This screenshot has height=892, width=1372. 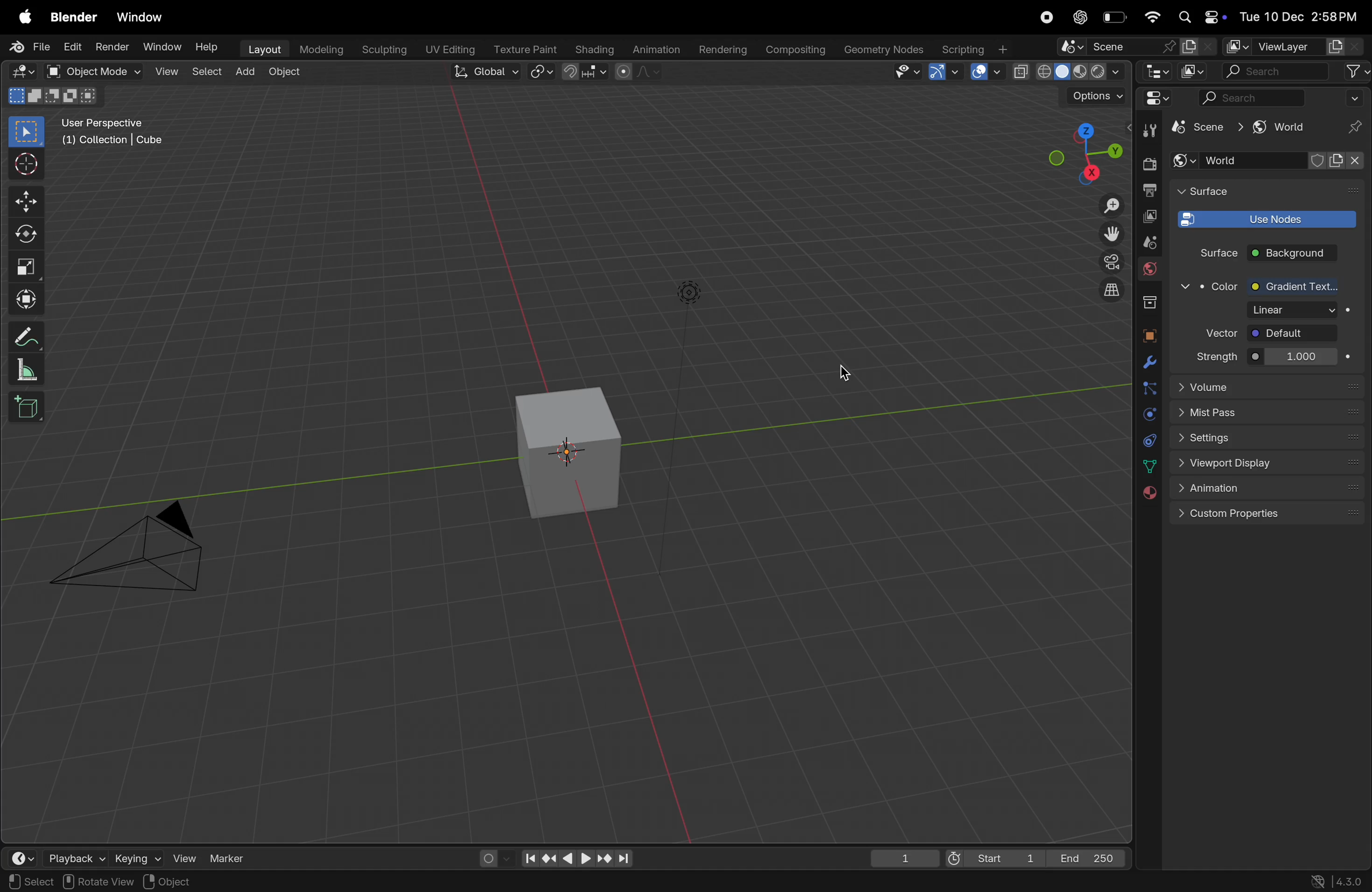 I want to click on Tool, so click(x=1152, y=129).